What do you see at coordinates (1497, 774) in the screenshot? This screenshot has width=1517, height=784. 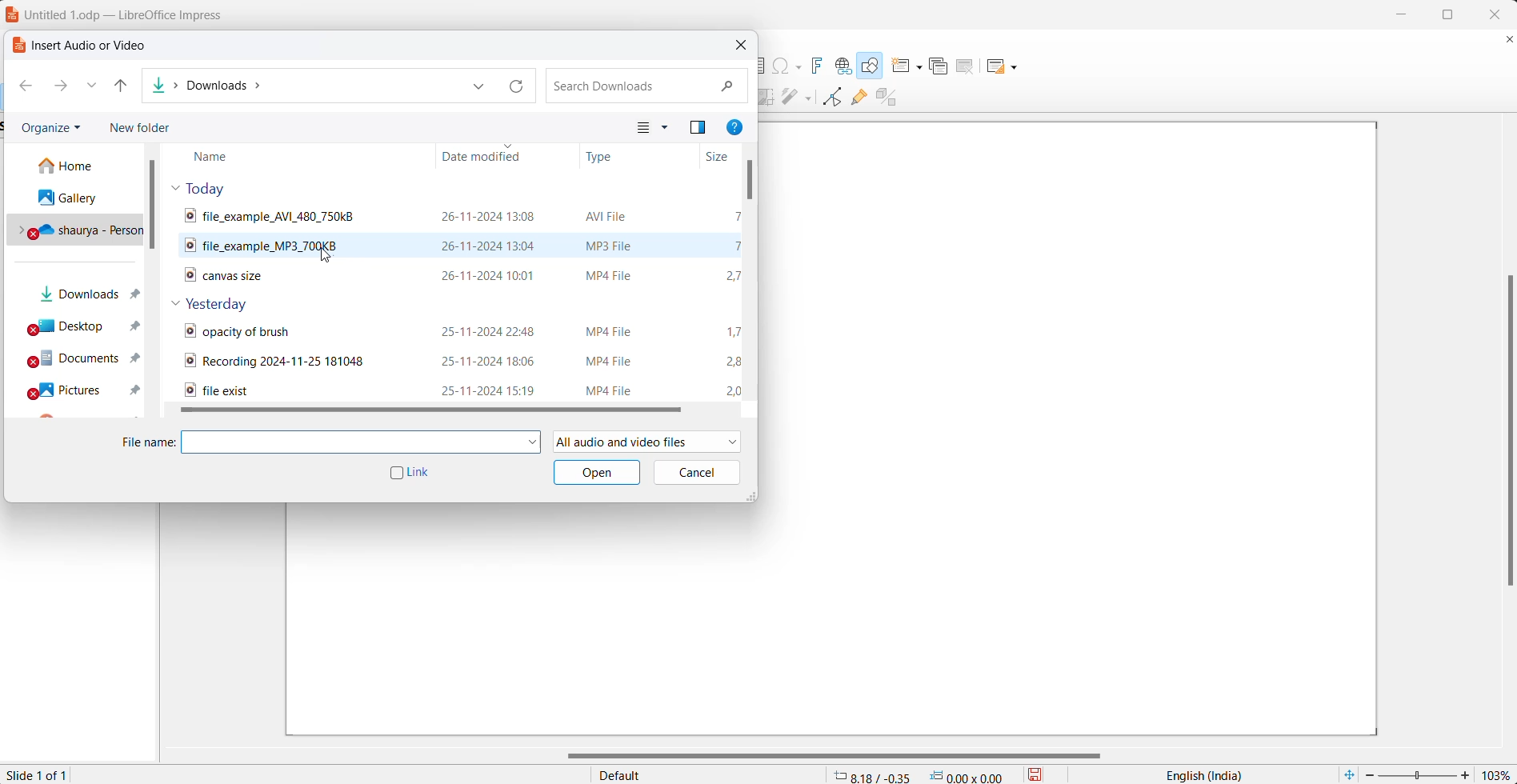 I see `zoom percentage` at bounding box center [1497, 774].